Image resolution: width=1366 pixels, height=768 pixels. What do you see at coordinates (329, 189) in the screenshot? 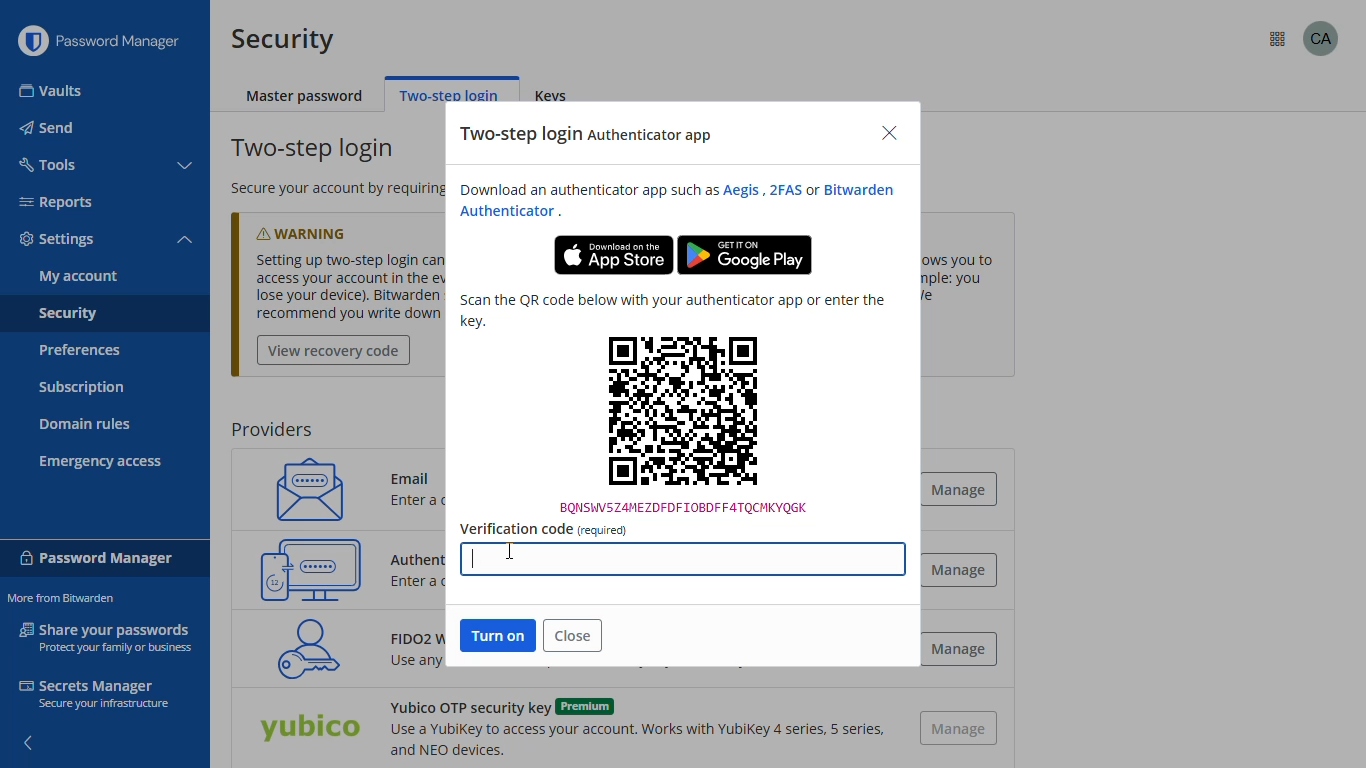
I see `secure your account by requiring an additional step when logging in` at bounding box center [329, 189].